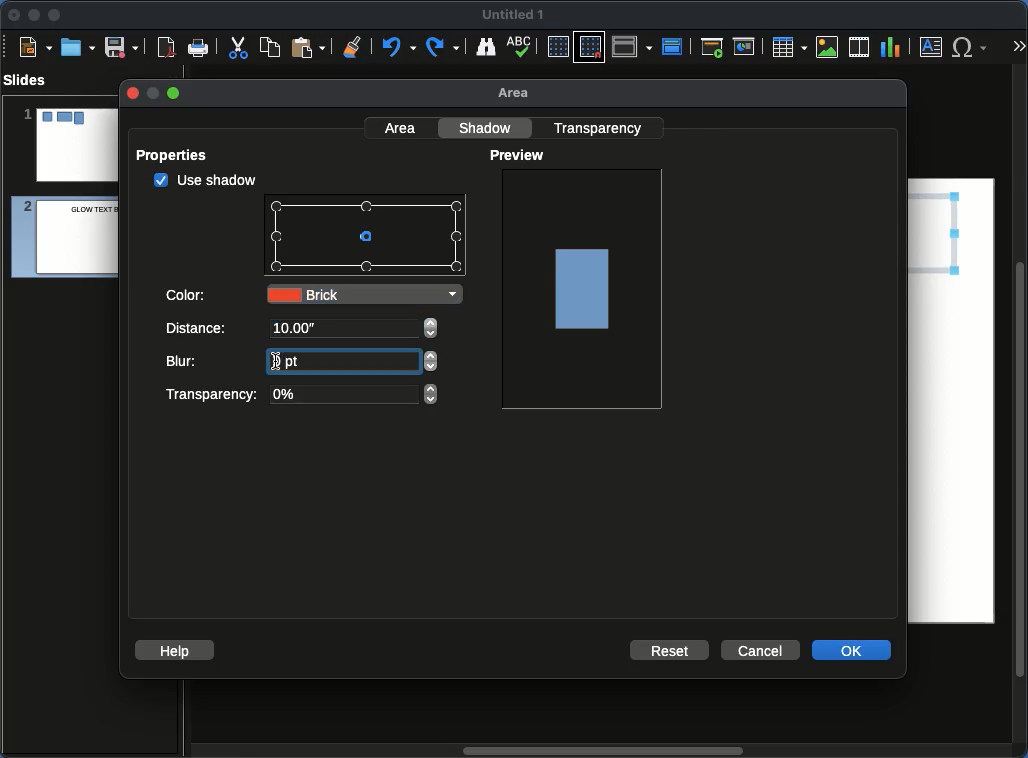 The image size is (1028, 758). What do you see at coordinates (519, 94) in the screenshot?
I see `Area` at bounding box center [519, 94].